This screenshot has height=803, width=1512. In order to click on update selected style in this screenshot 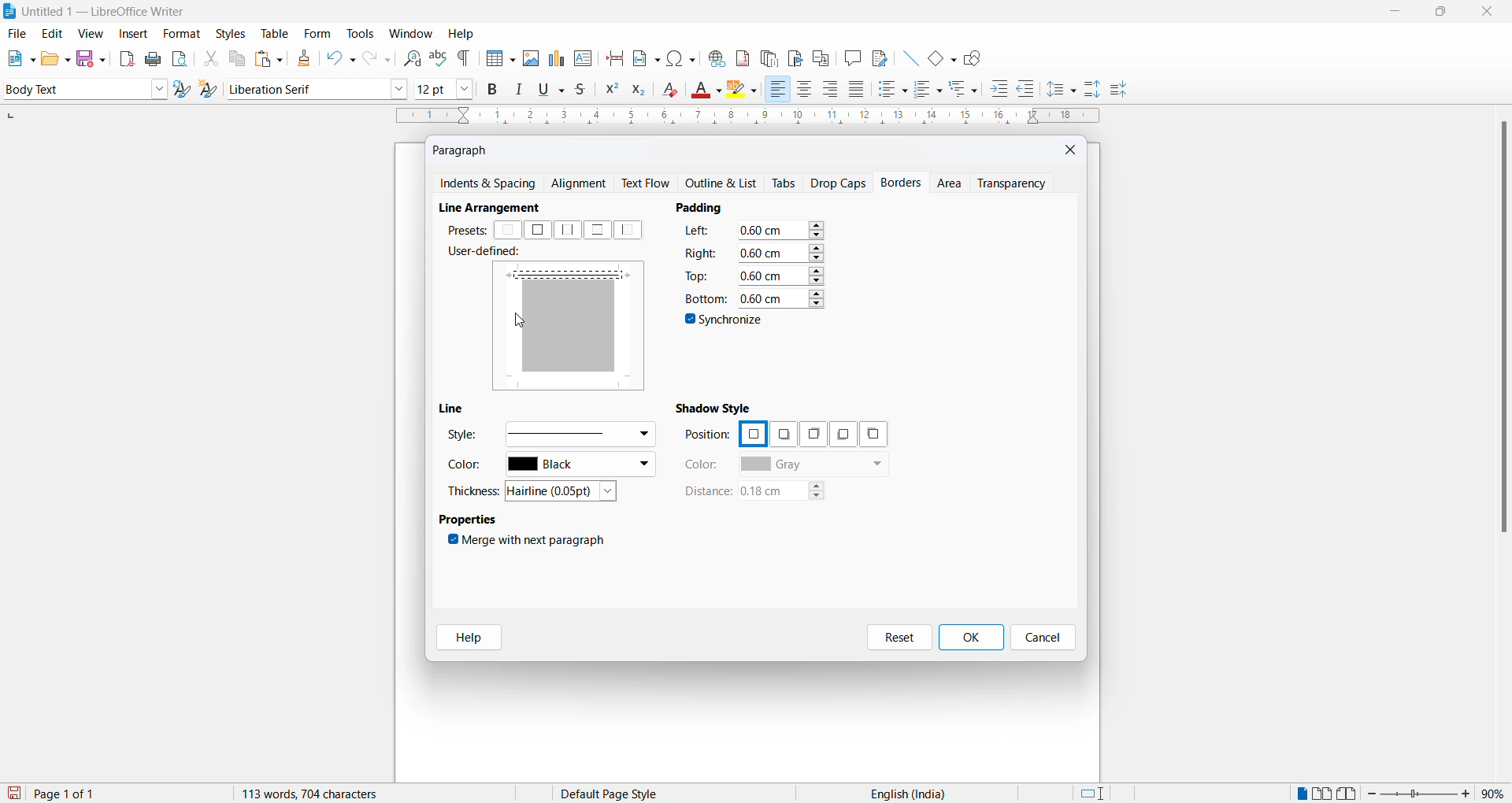, I will do `click(185, 90)`.